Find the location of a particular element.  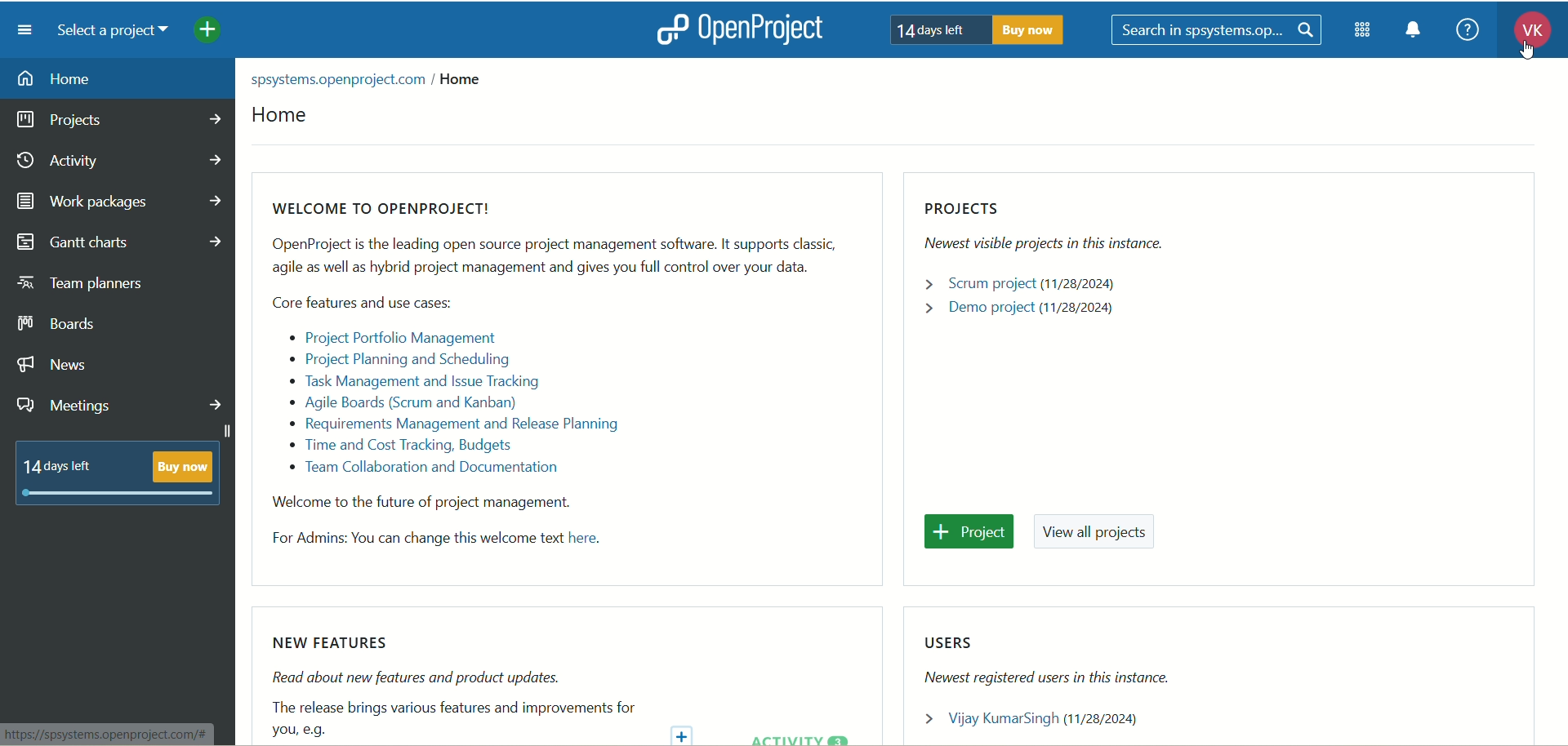

add project is located at coordinates (219, 33).